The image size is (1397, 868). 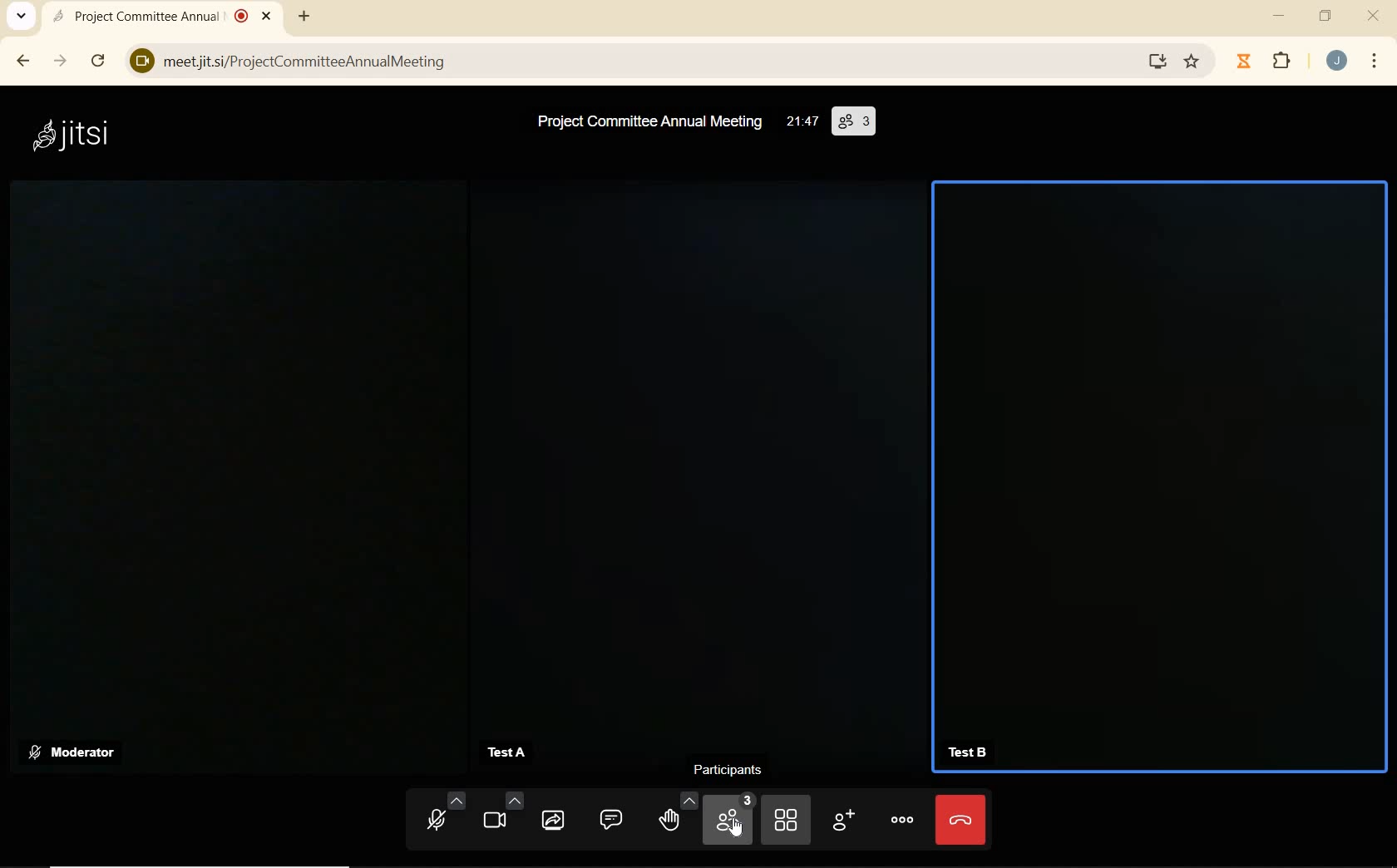 What do you see at coordinates (636, 62) in the screenshot?
I see `) meetjit.si/ProjectCommitteeAnnualMeeting` at bounding box center [636, 62].